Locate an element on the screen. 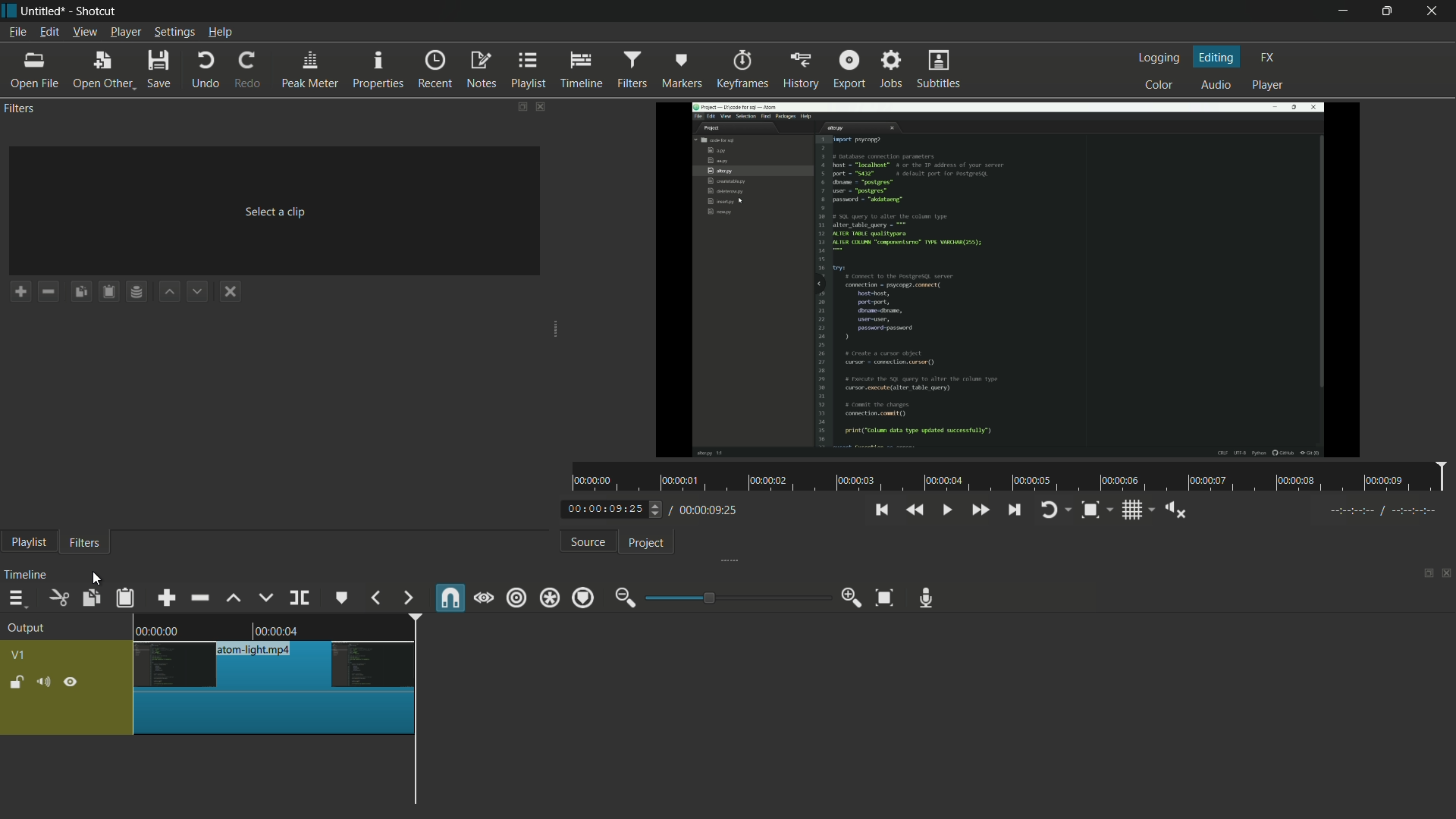  close filter is located at coordinates (539, 105).